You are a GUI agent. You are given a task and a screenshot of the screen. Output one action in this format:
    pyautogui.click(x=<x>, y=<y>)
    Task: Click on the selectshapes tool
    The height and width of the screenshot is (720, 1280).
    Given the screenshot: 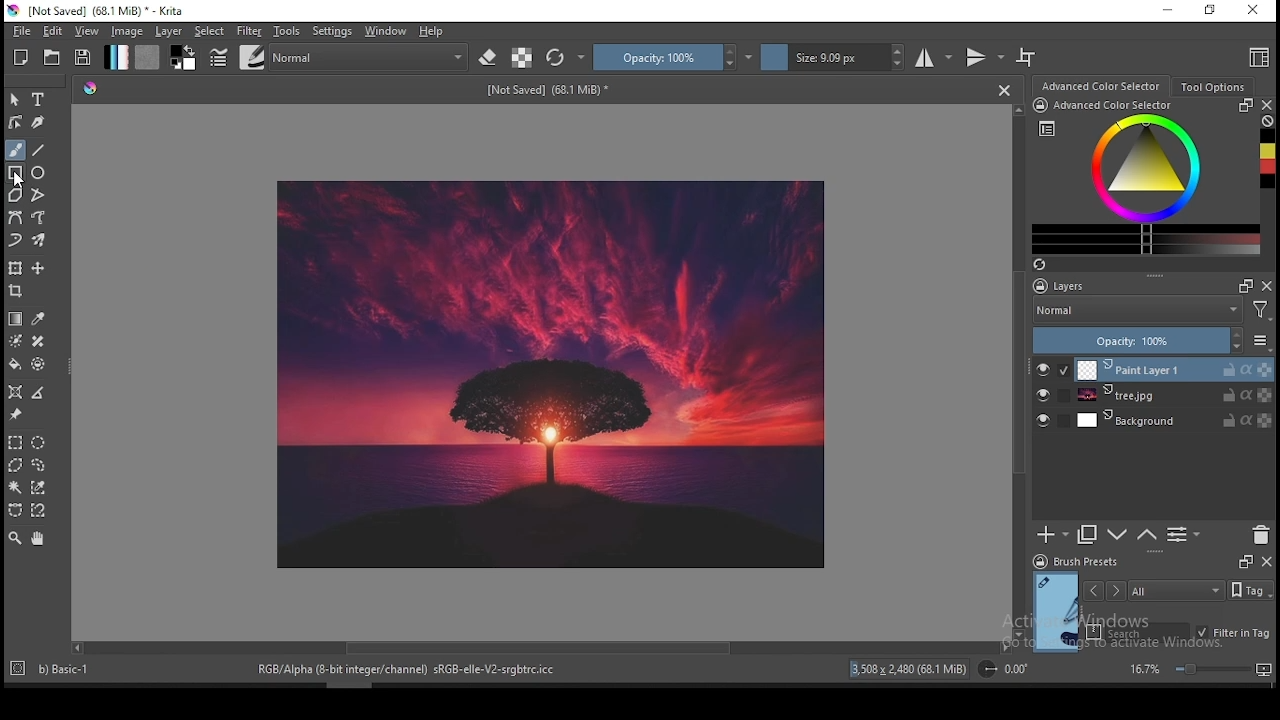 What is the action you would take?
    pyautogui.click(x=15, y=100)
    